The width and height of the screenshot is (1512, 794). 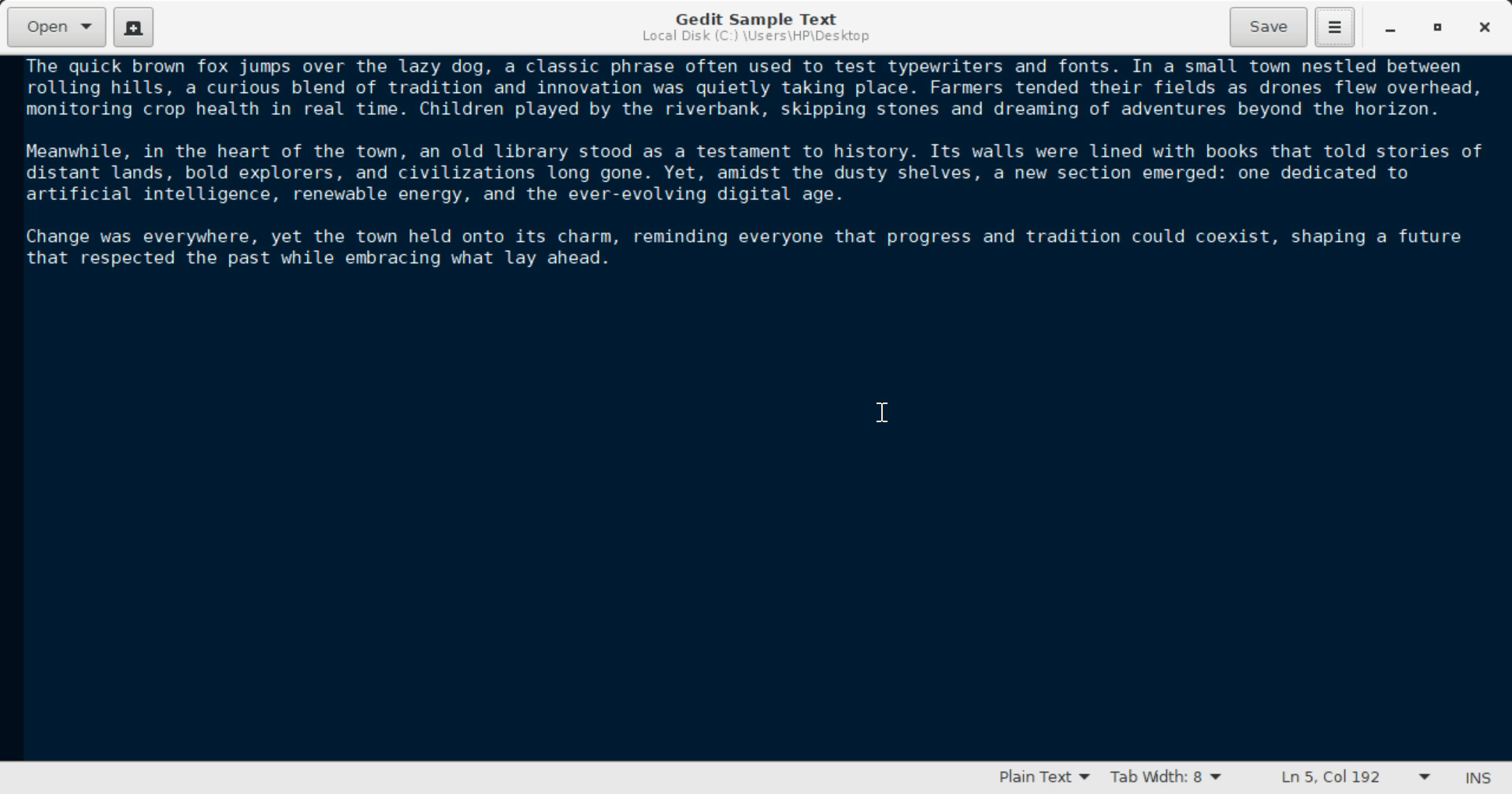 What do you see at coordinates (1440, 28) in the screenshot?
I see `Minimize` at bounding box center [1440, 28].